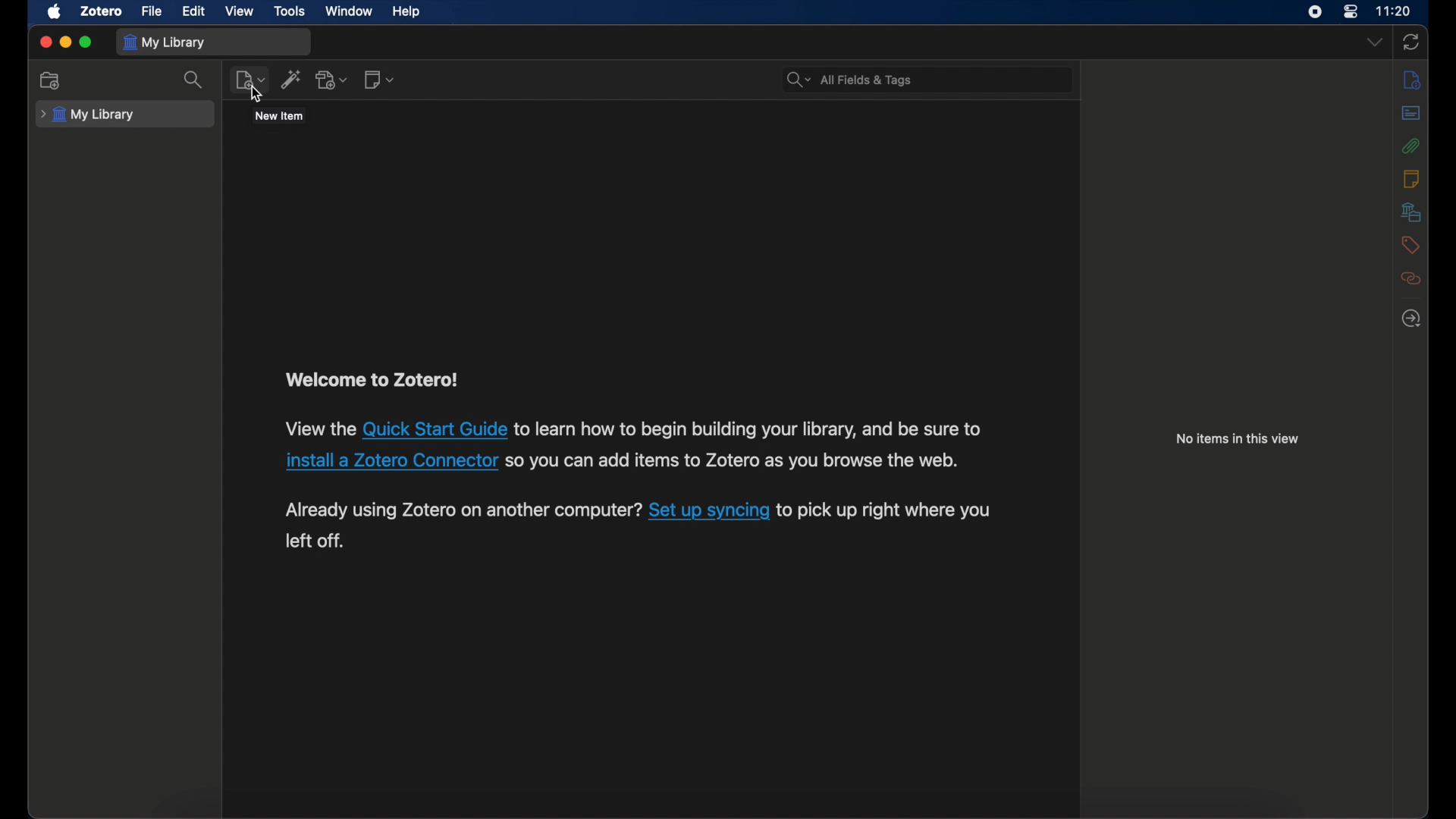 The image size is (1456, 819). What do you see at coordinates (1411, 212) in the screenshot?
I see `libraries` at bounding box center [1411, 212].